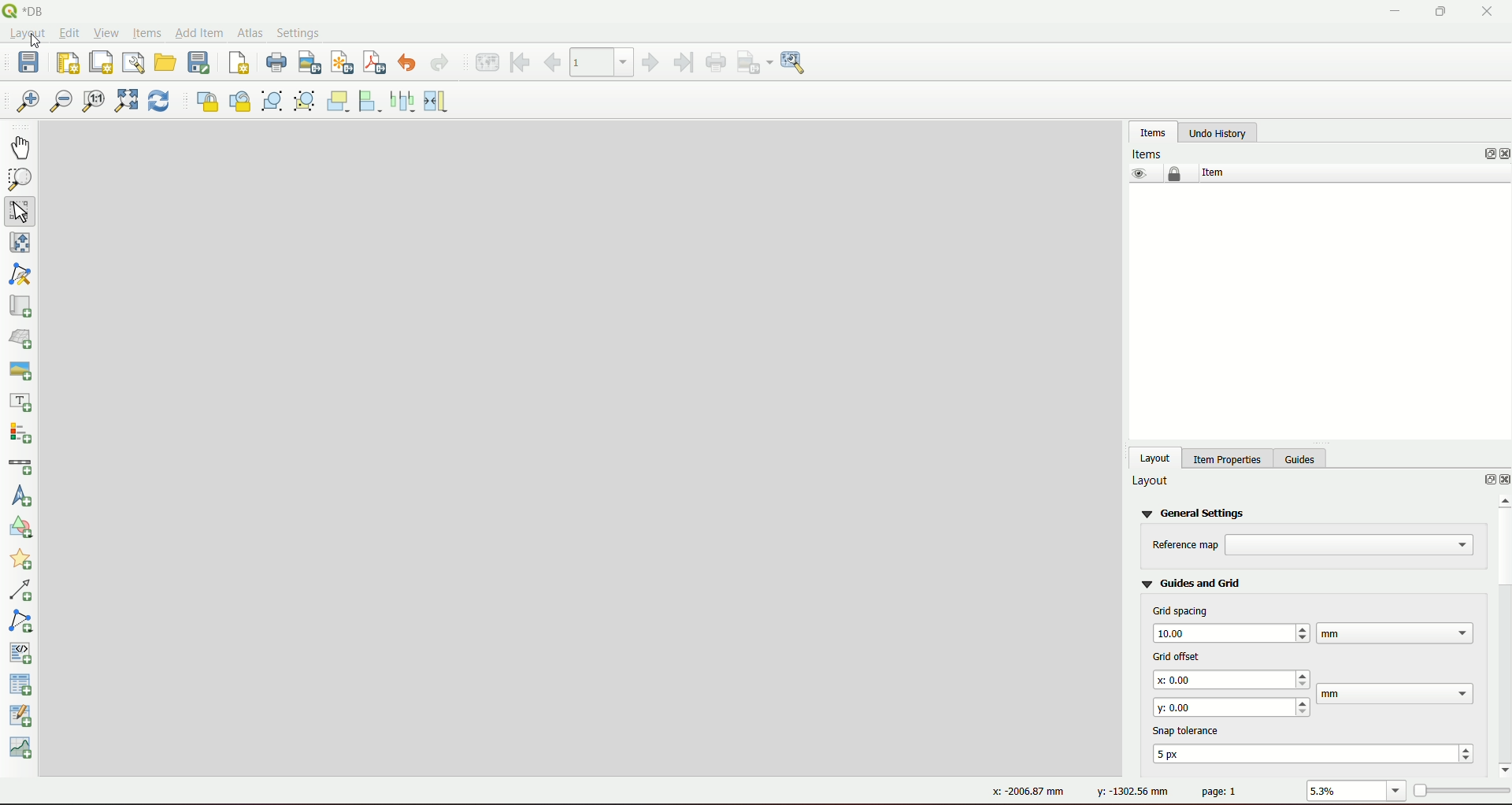 Image resolution: width=1512 pixels, height=805 pixels. I want to click on text box, so click(1317, 753).